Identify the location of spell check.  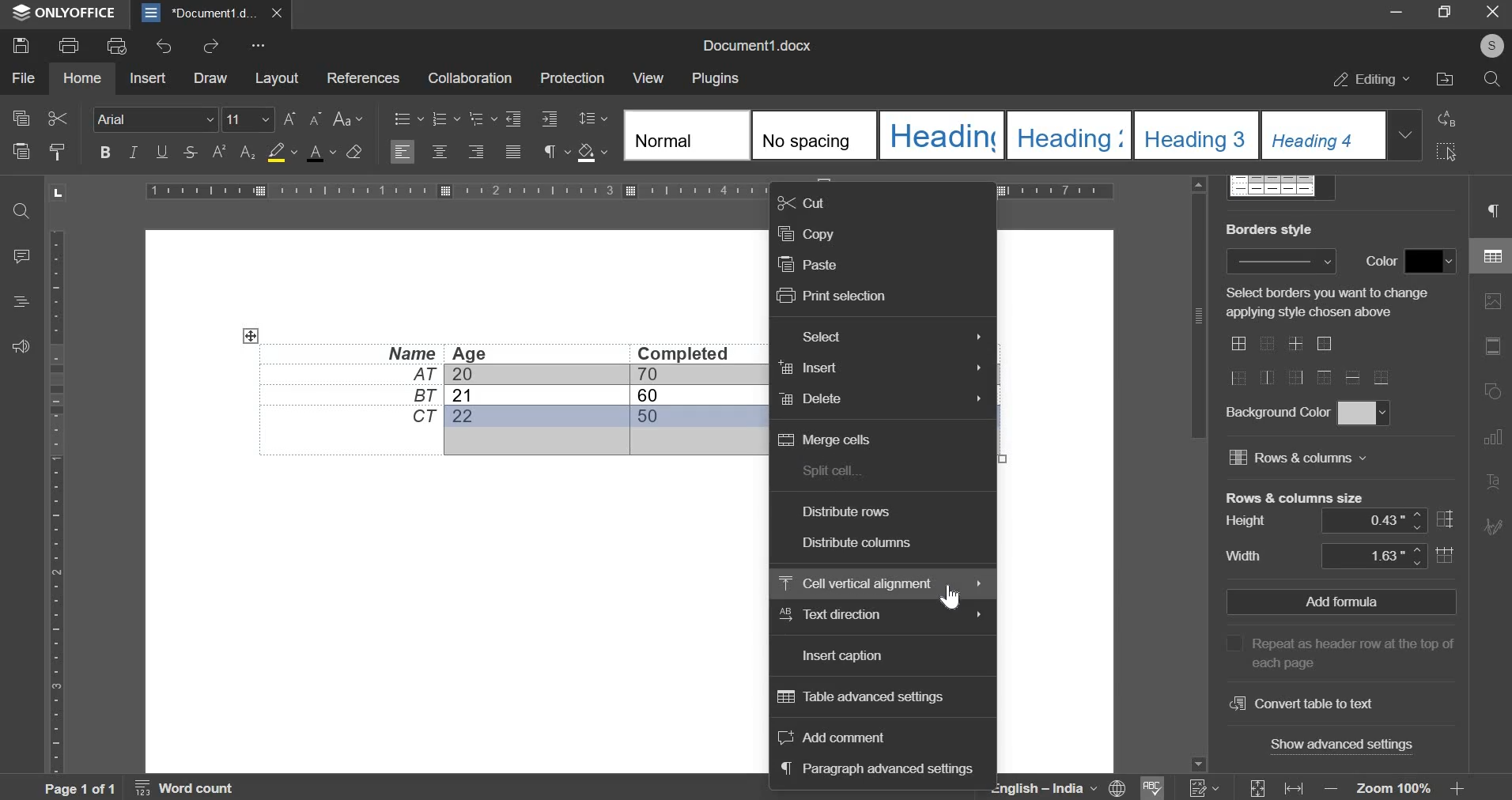
(1157, 786).